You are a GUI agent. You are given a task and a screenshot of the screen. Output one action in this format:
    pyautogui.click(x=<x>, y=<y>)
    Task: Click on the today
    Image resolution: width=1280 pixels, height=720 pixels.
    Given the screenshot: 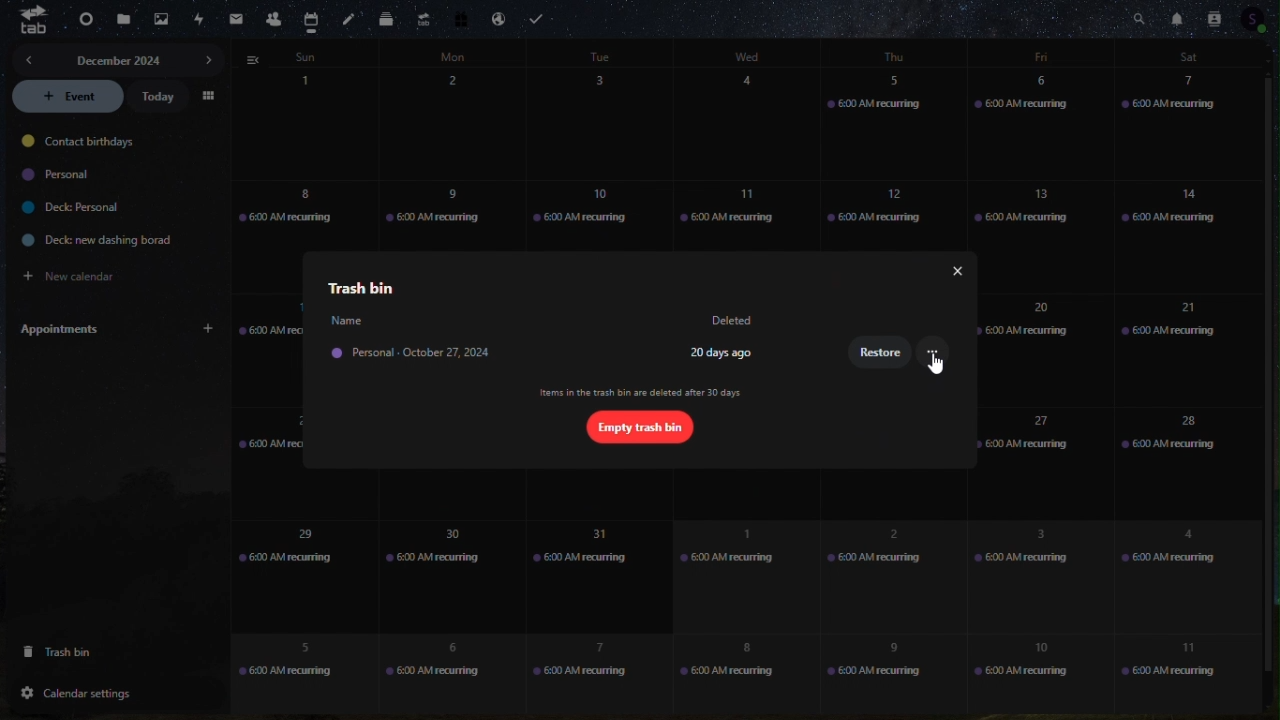 What is the action you would take?
    pyautogui.click(x=161, y=97)
    